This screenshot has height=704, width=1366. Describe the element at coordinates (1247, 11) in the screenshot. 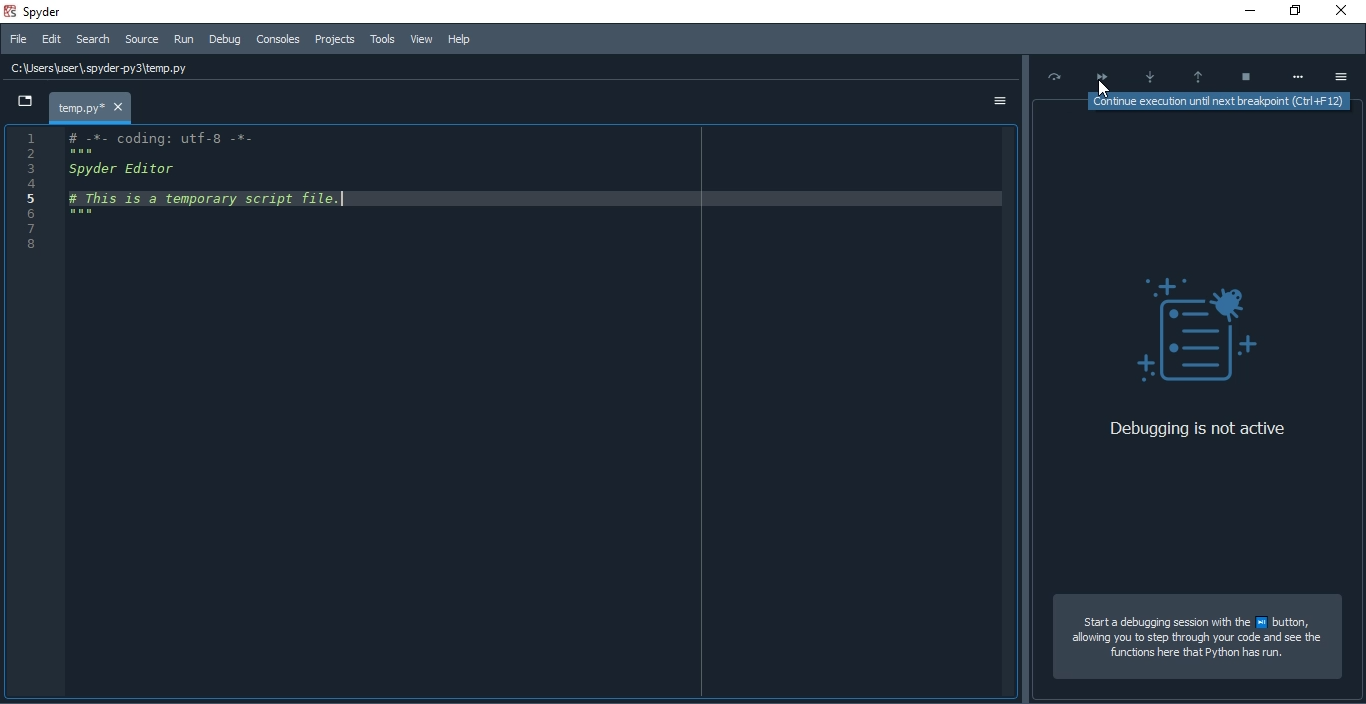

I see `minimise` at that location.